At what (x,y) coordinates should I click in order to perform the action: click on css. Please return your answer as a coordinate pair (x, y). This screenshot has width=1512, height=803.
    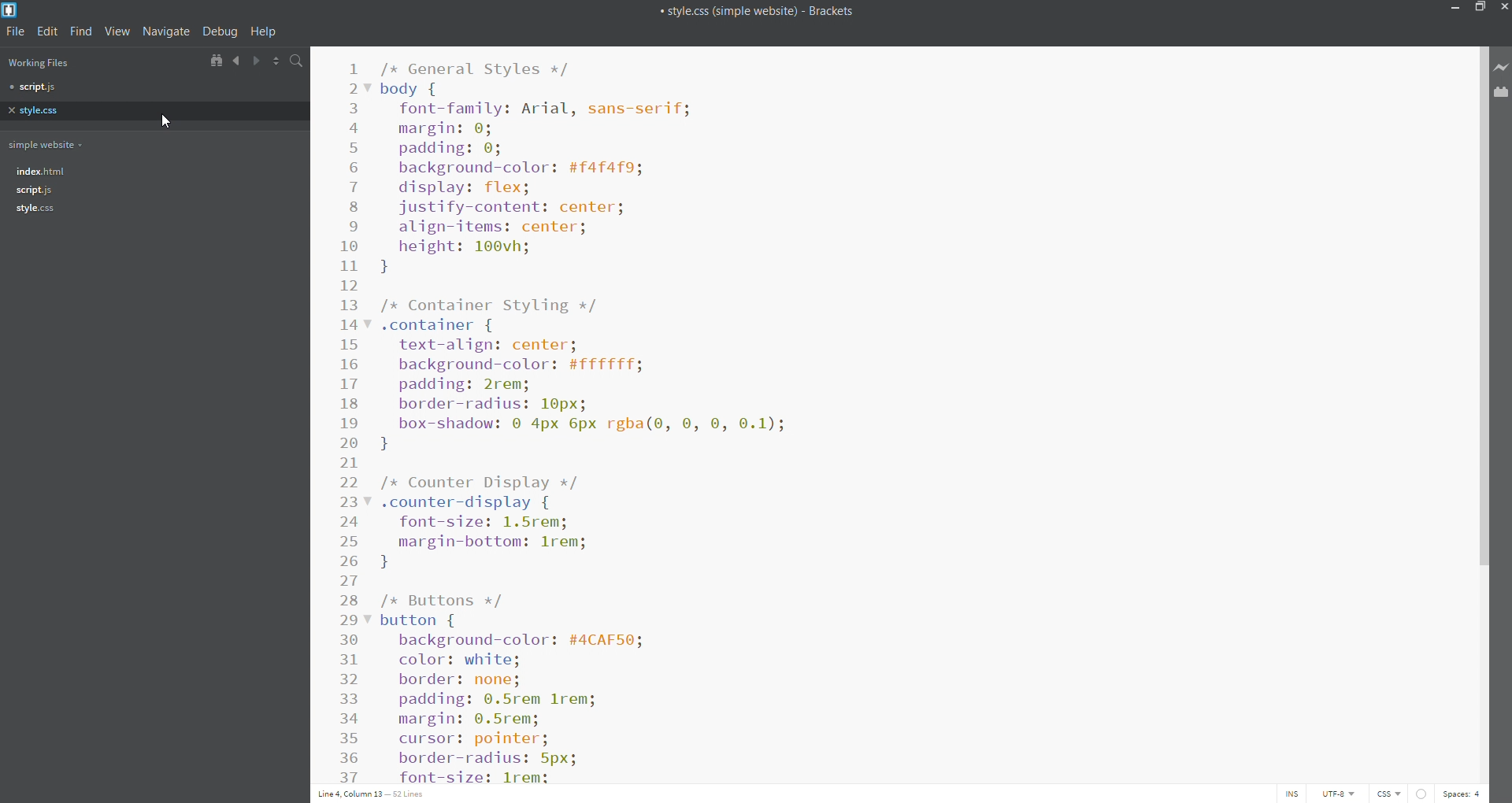
    Looking at the image, I should click on (1391, 794).